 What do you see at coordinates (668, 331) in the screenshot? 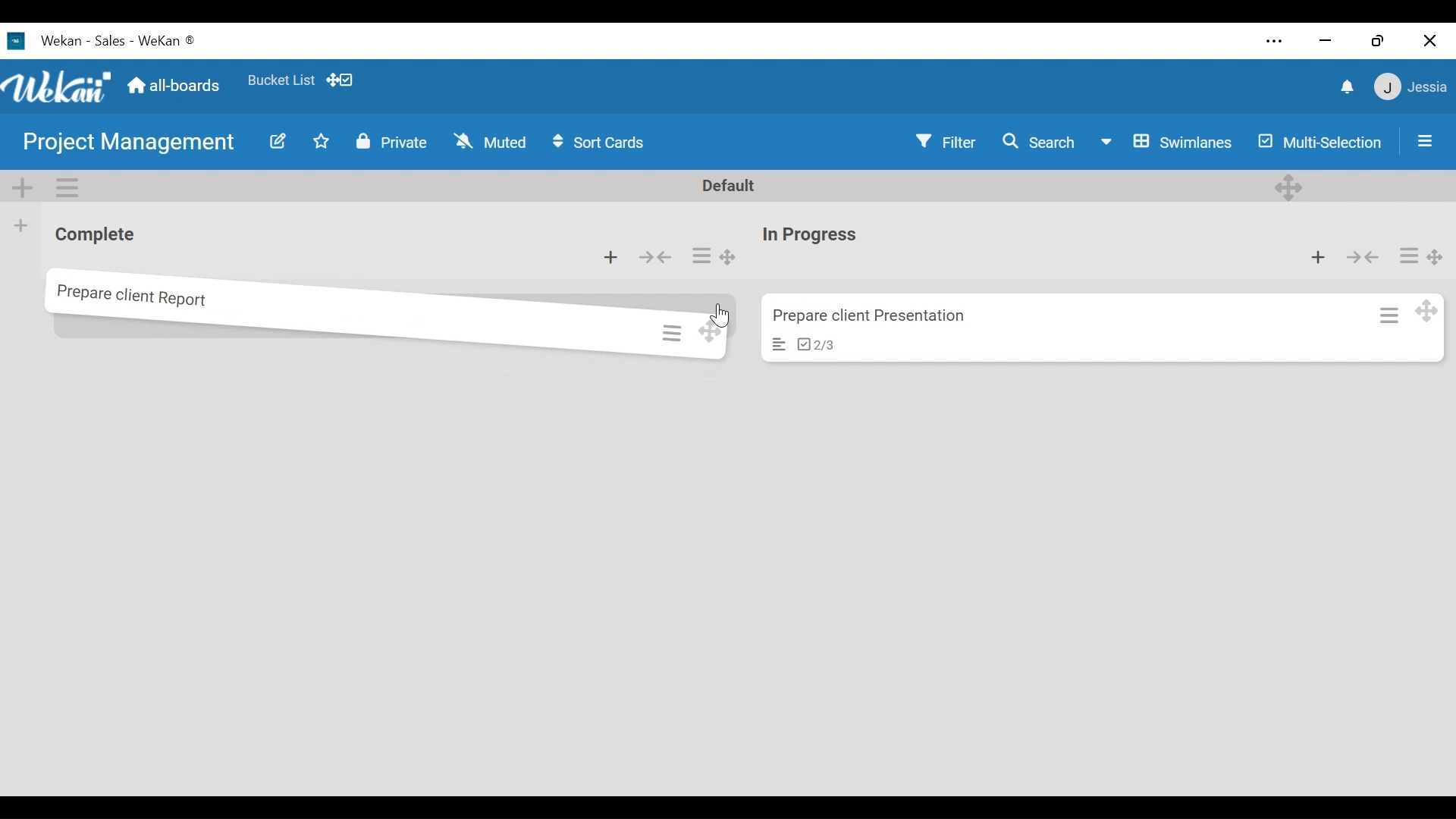
I see `card actions` at bounding box center [668, 331].